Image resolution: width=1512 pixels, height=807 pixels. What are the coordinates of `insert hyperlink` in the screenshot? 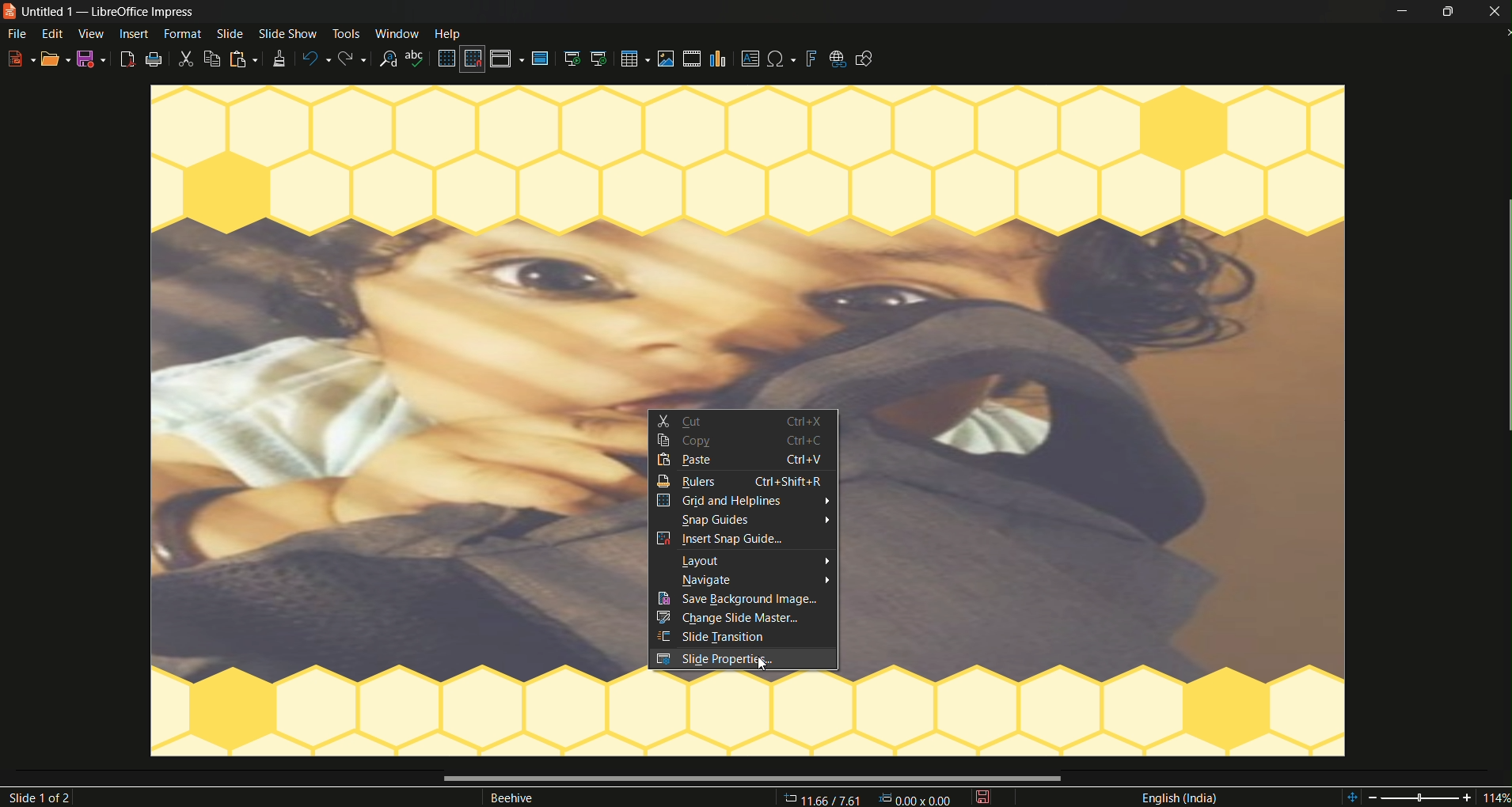 It's located at (838, 59).